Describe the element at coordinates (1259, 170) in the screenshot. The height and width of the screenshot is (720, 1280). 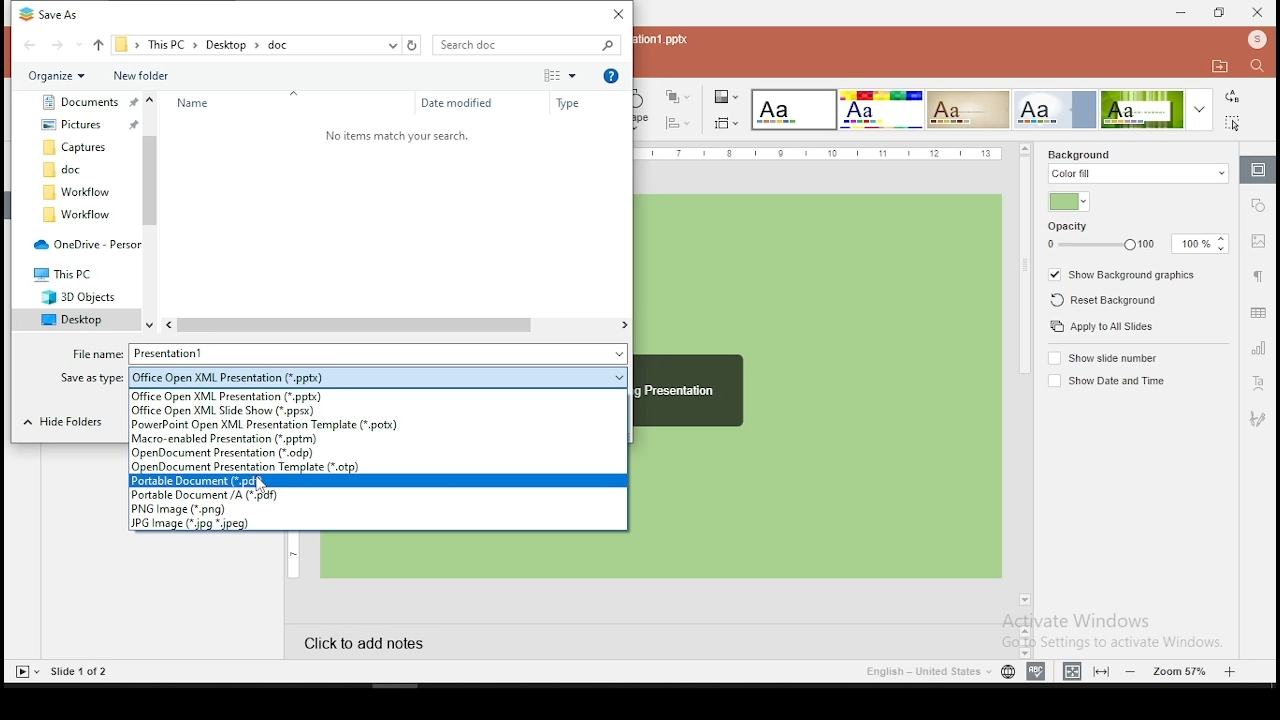
I see `slide settings` at that location.